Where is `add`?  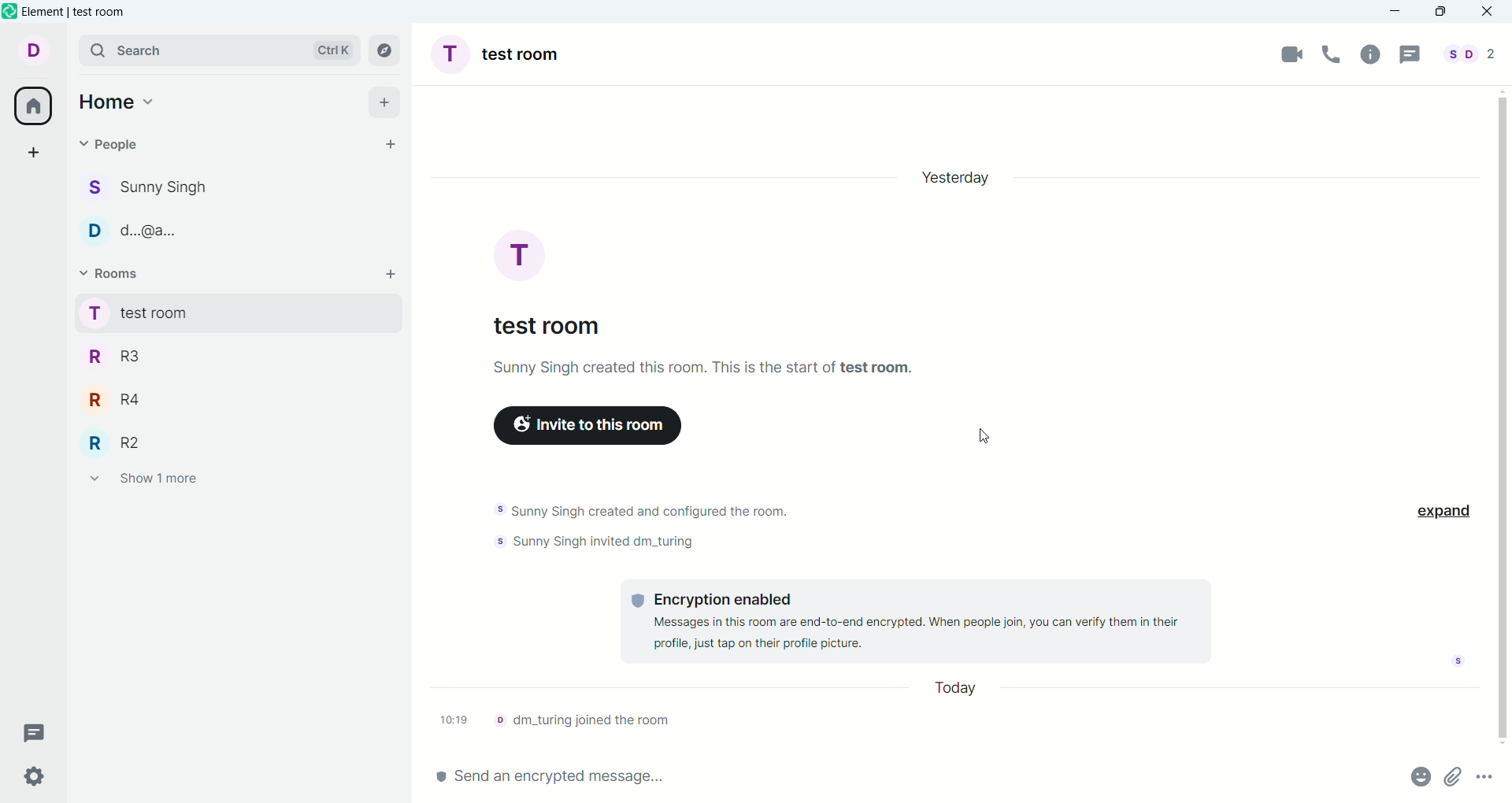 add is located at coordinates (390, 274).